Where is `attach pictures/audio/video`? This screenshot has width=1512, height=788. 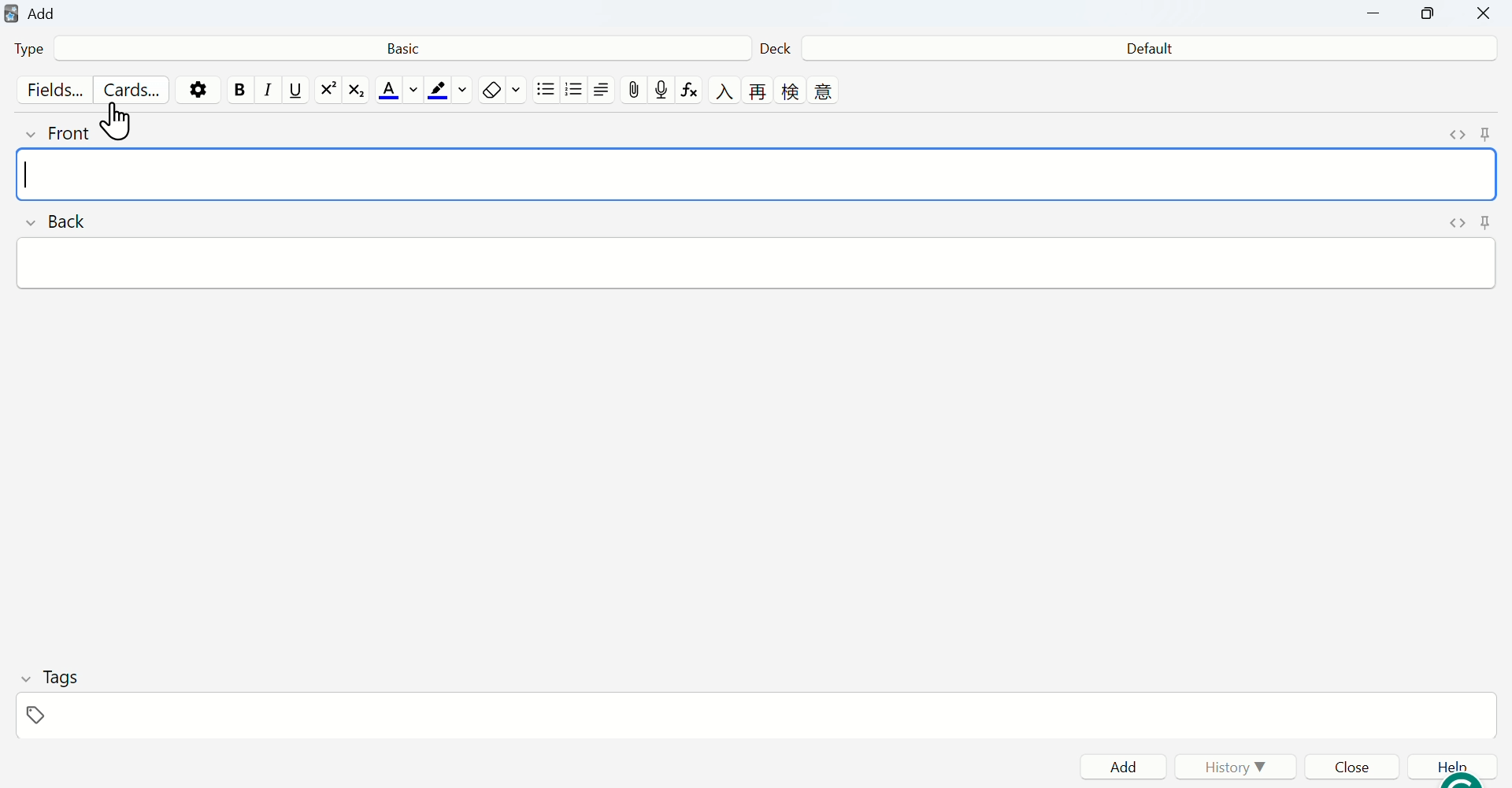
attach pictures/audio/video is located at coordinates (633, 90).